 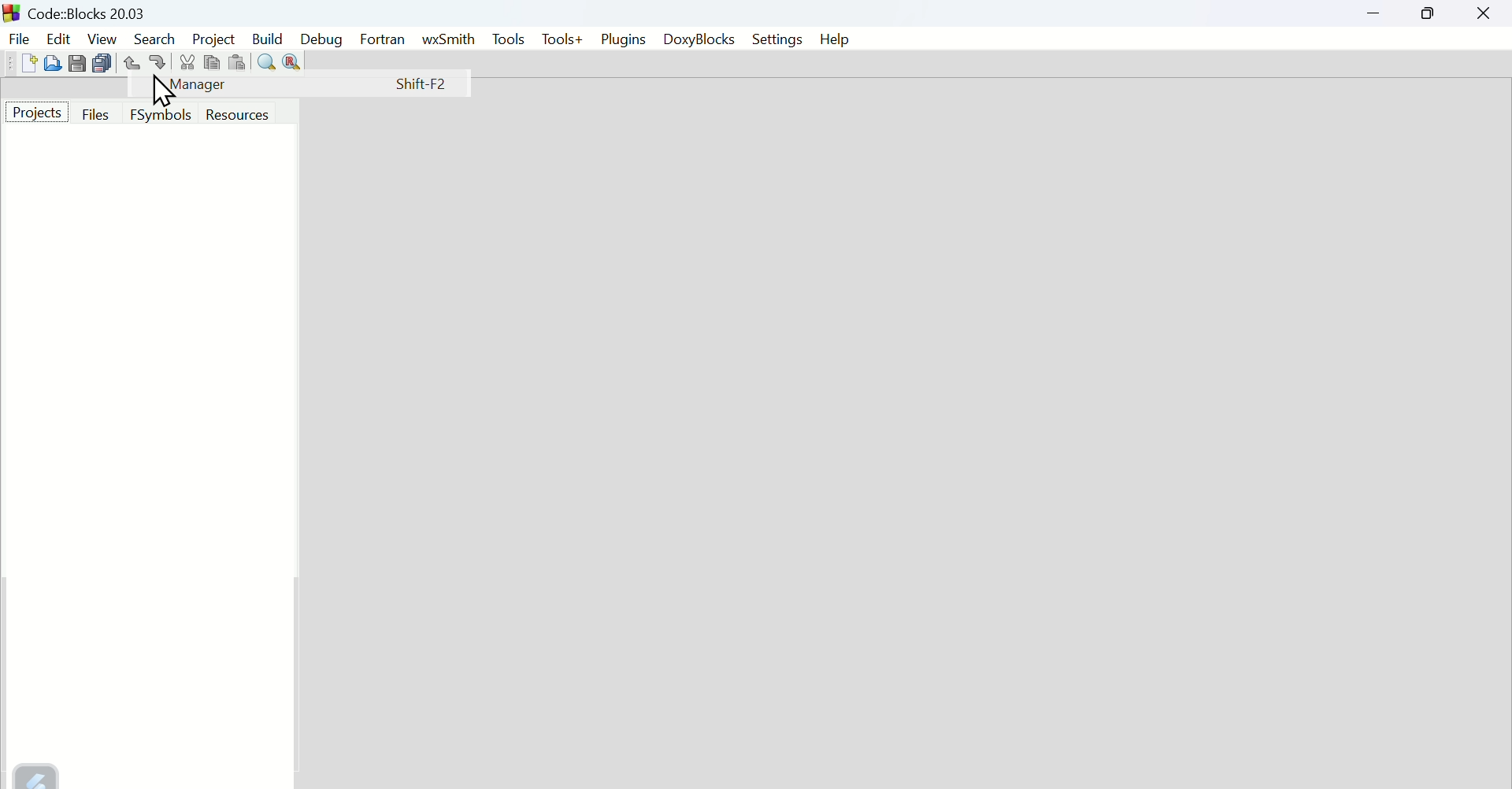 I want to click on Open file, so click(x=53, y=63).